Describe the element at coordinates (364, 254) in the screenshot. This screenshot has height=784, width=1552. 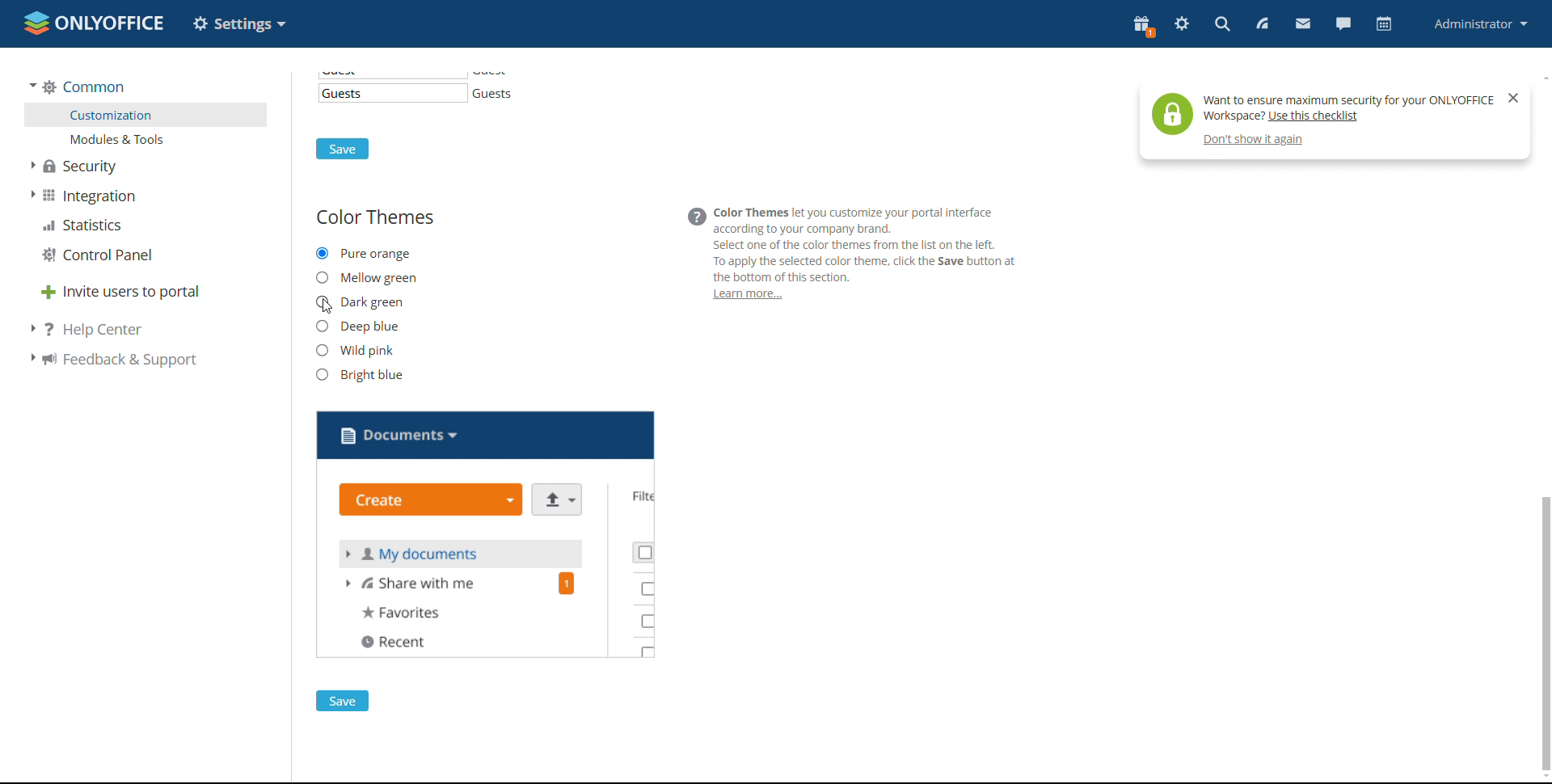
I see `pure orange` at that location.